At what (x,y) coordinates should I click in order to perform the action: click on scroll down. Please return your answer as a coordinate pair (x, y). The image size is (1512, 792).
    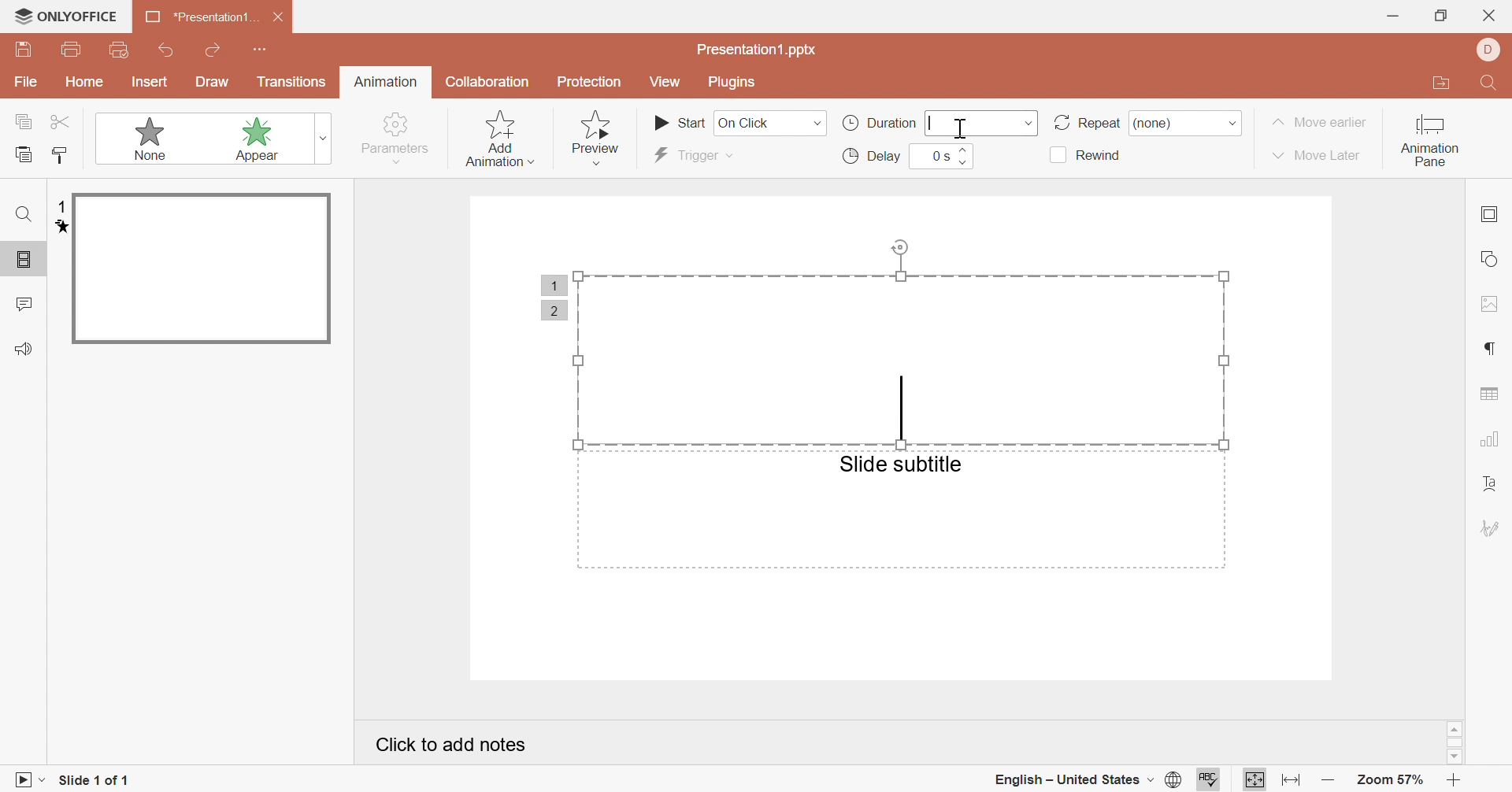
    Looking at the image, I should click on (1455, 757).